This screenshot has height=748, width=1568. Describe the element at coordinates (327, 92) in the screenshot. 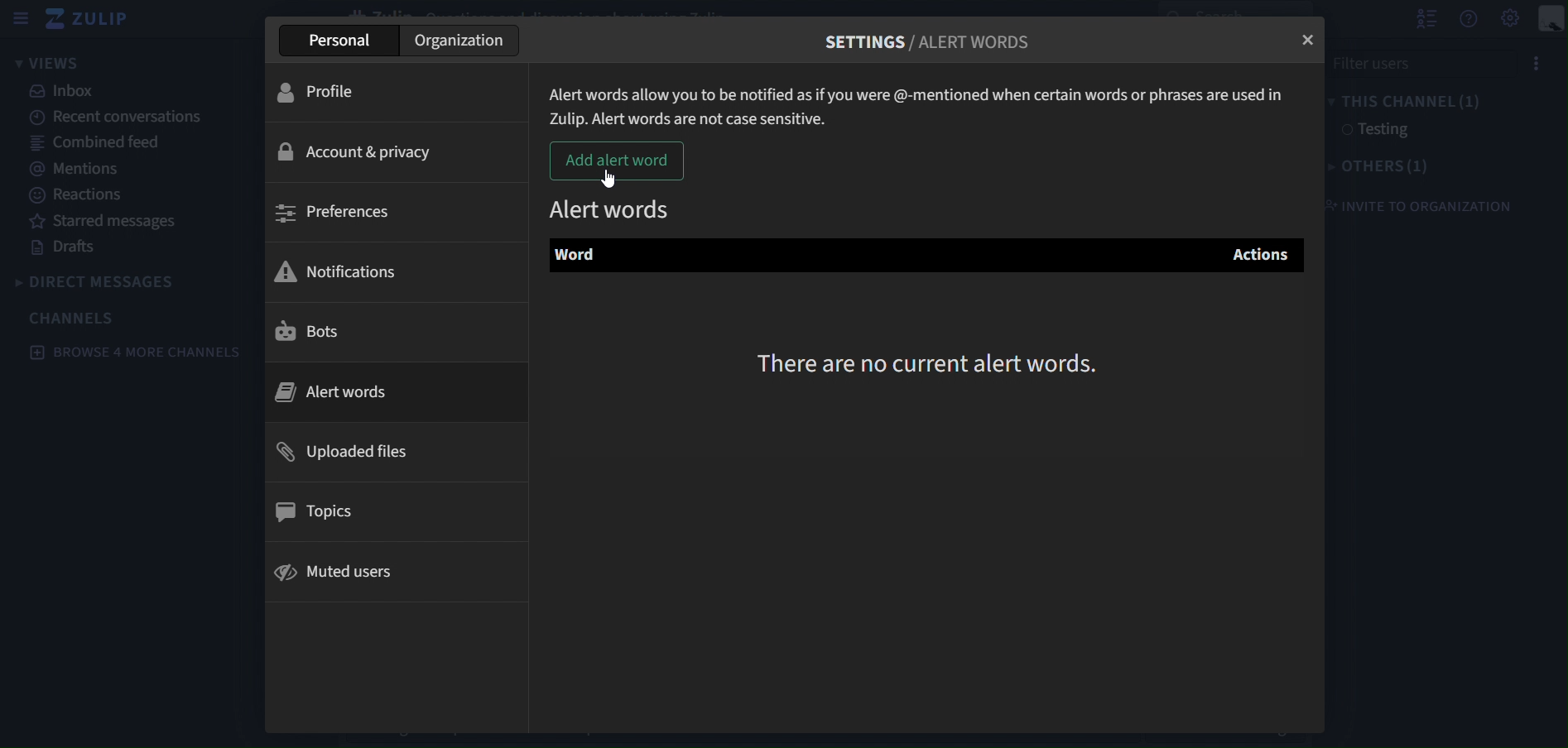

I see `profile` at that location.